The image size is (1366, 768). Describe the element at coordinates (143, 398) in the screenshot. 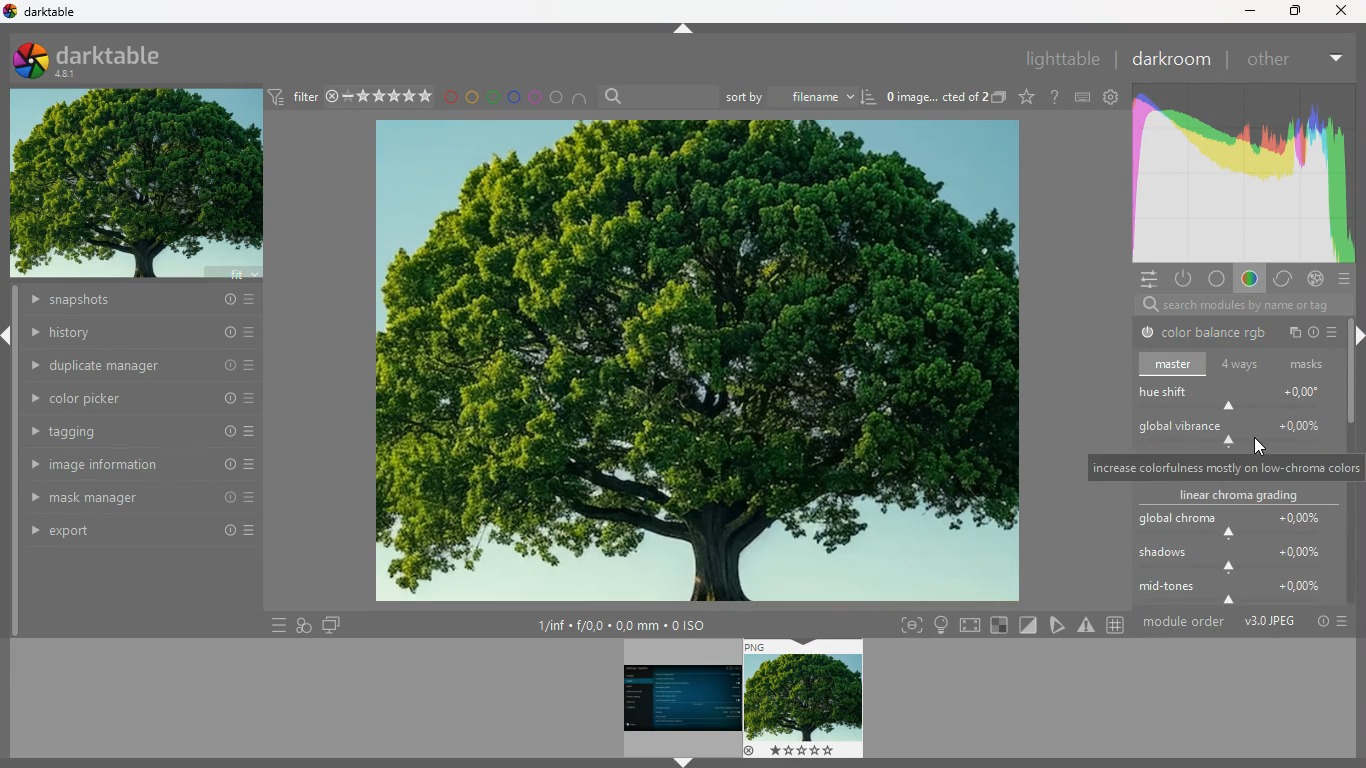

I see `color picker` at that location.